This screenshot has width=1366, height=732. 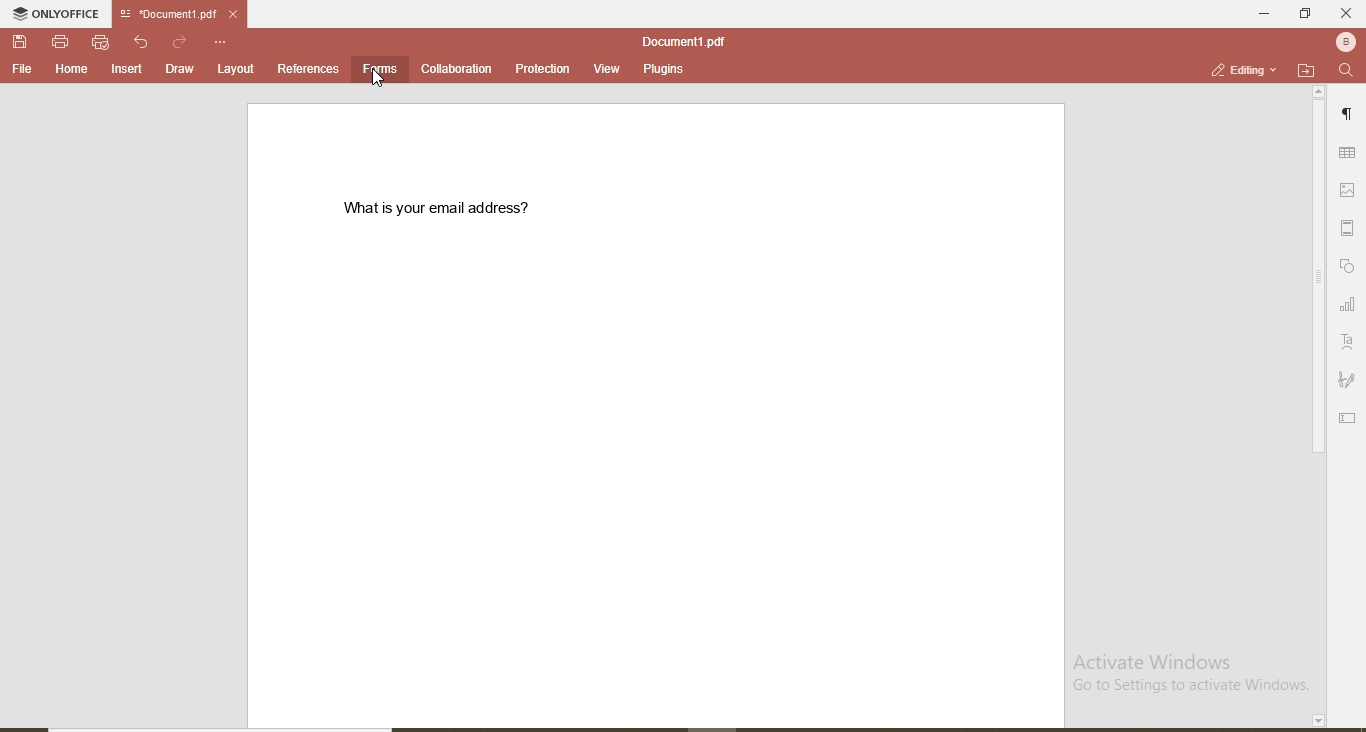 What do you see at coordinates (1346, 13) in the screenshot?
I see `close` at bounding box center [1346, 13].